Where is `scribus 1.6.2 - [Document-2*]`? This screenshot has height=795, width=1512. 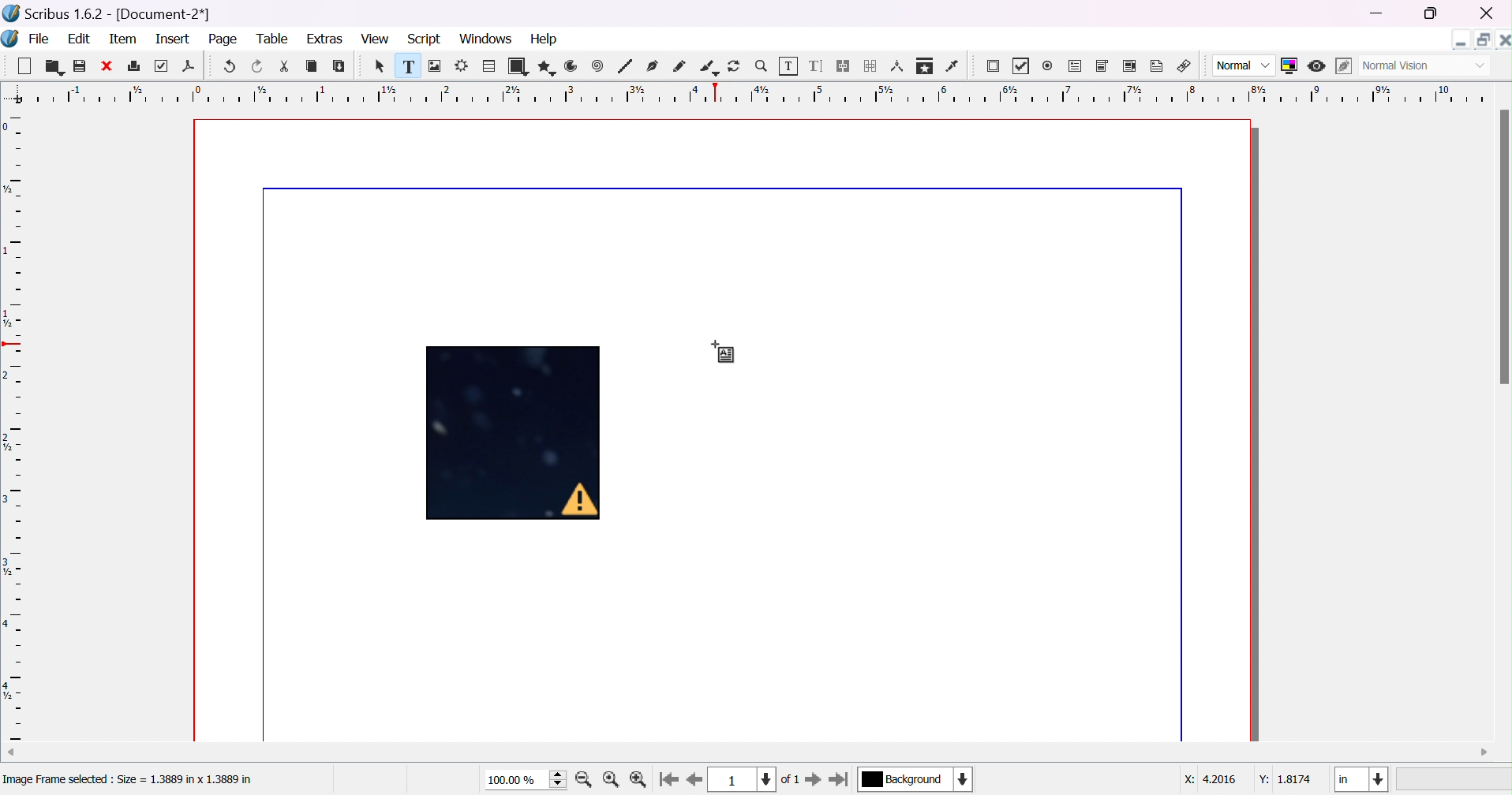
scribus 1.6.2 - [Document-2*] is located at coordinates (108, 14).